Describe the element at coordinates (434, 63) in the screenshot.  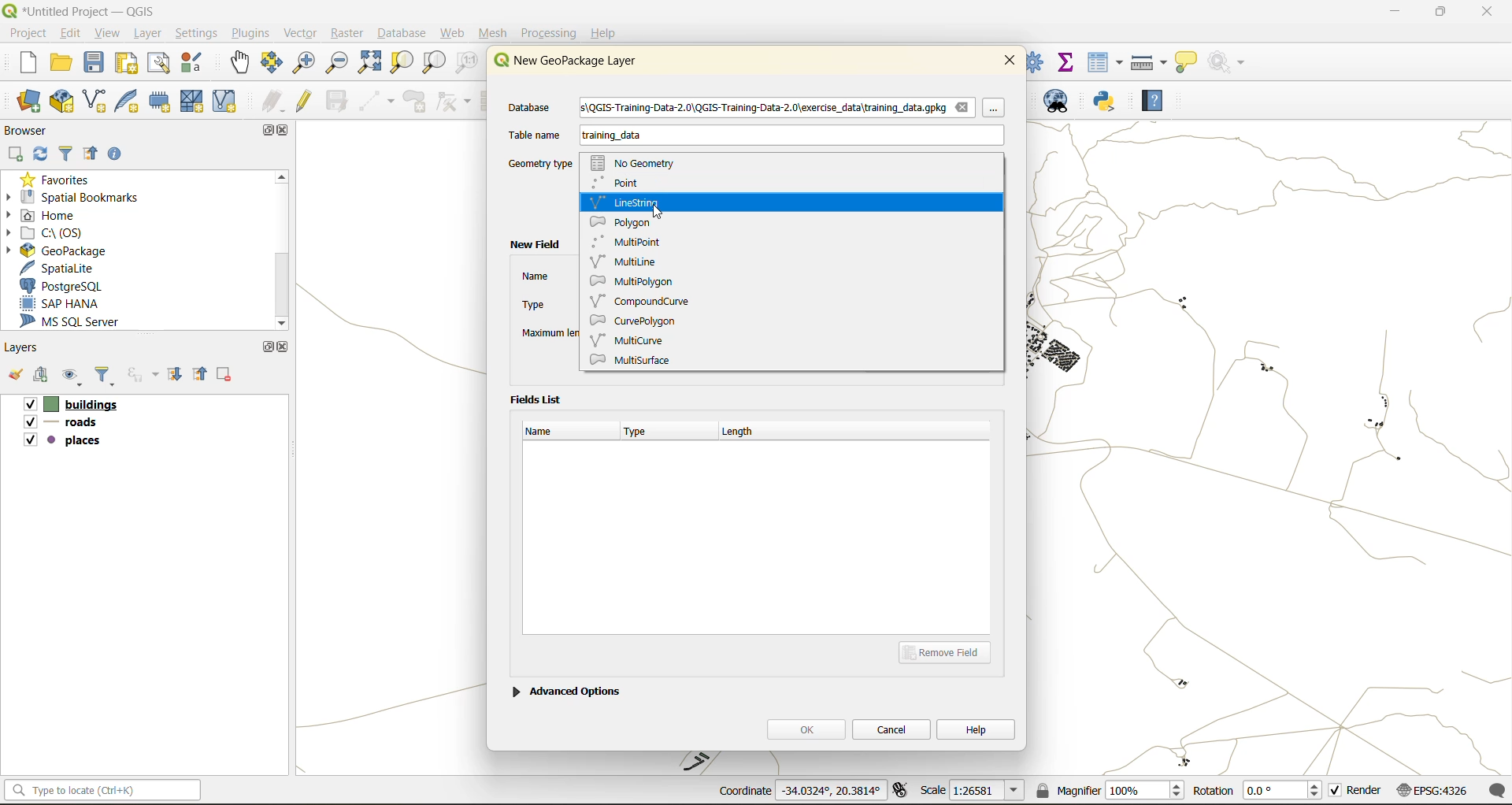
I see `zoom layer` at that location.